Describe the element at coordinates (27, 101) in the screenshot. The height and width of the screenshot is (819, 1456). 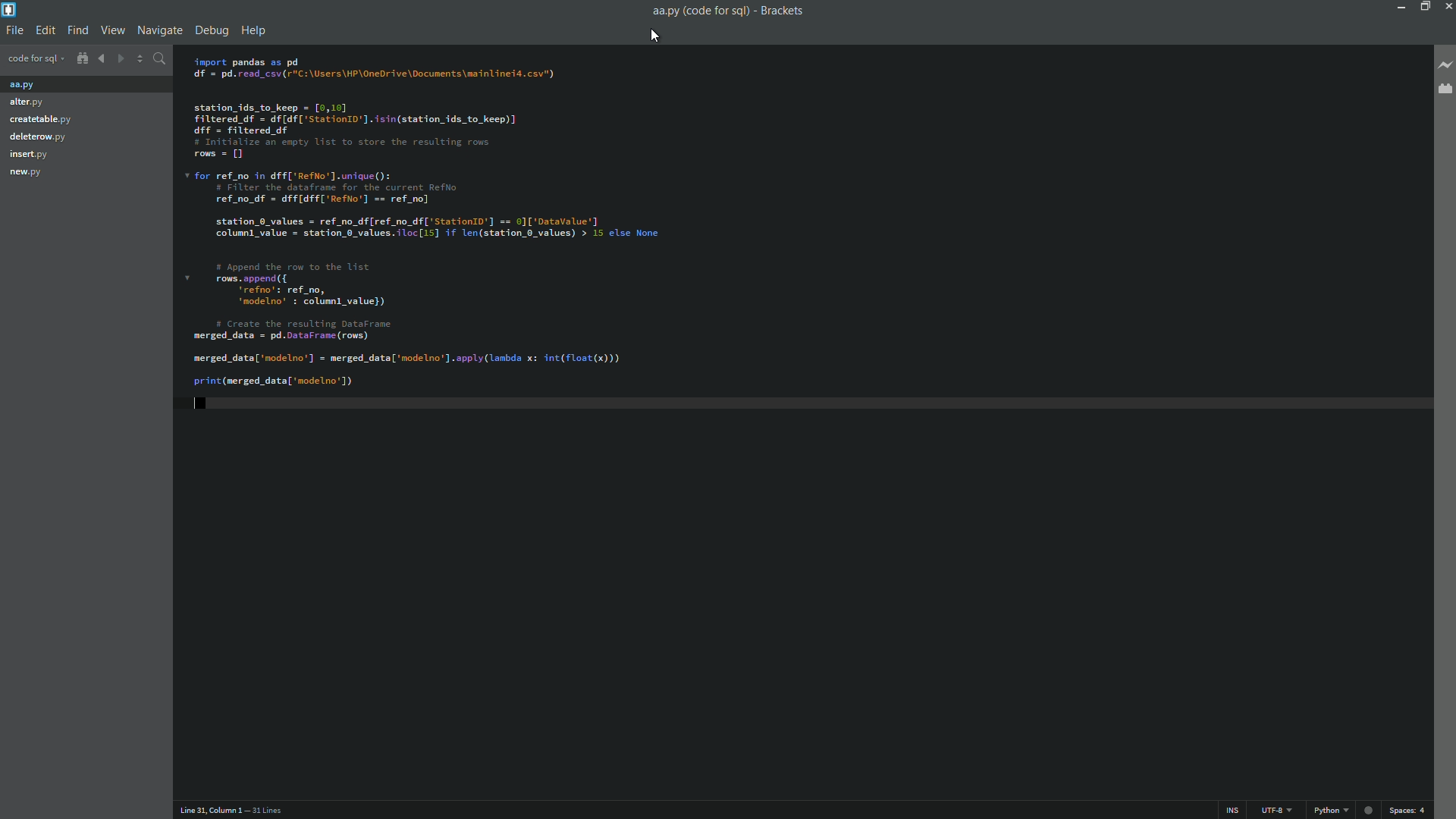
I see `Project file 2` at that location.